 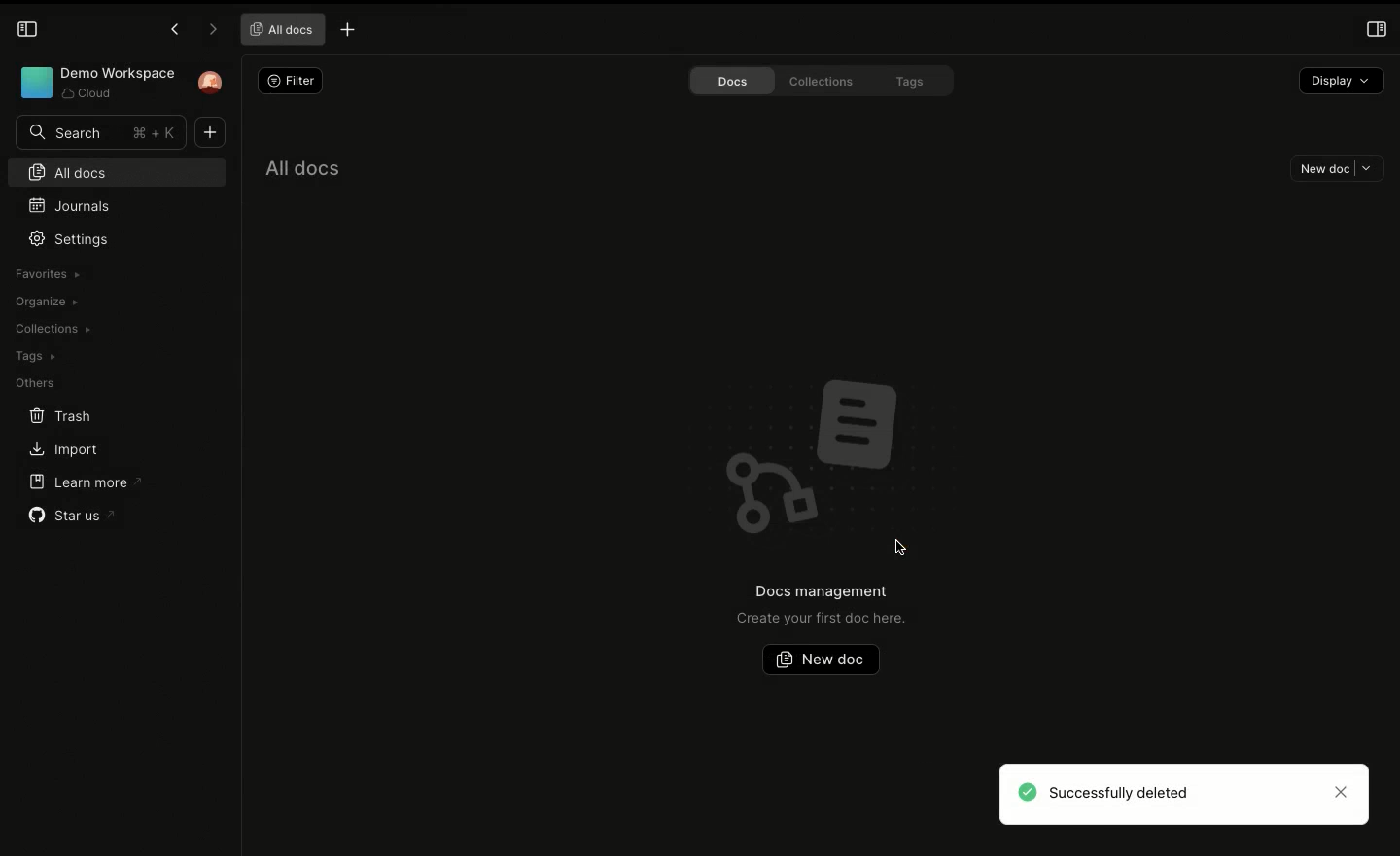 I want to click on New doc, so click(x=1338, y=168).